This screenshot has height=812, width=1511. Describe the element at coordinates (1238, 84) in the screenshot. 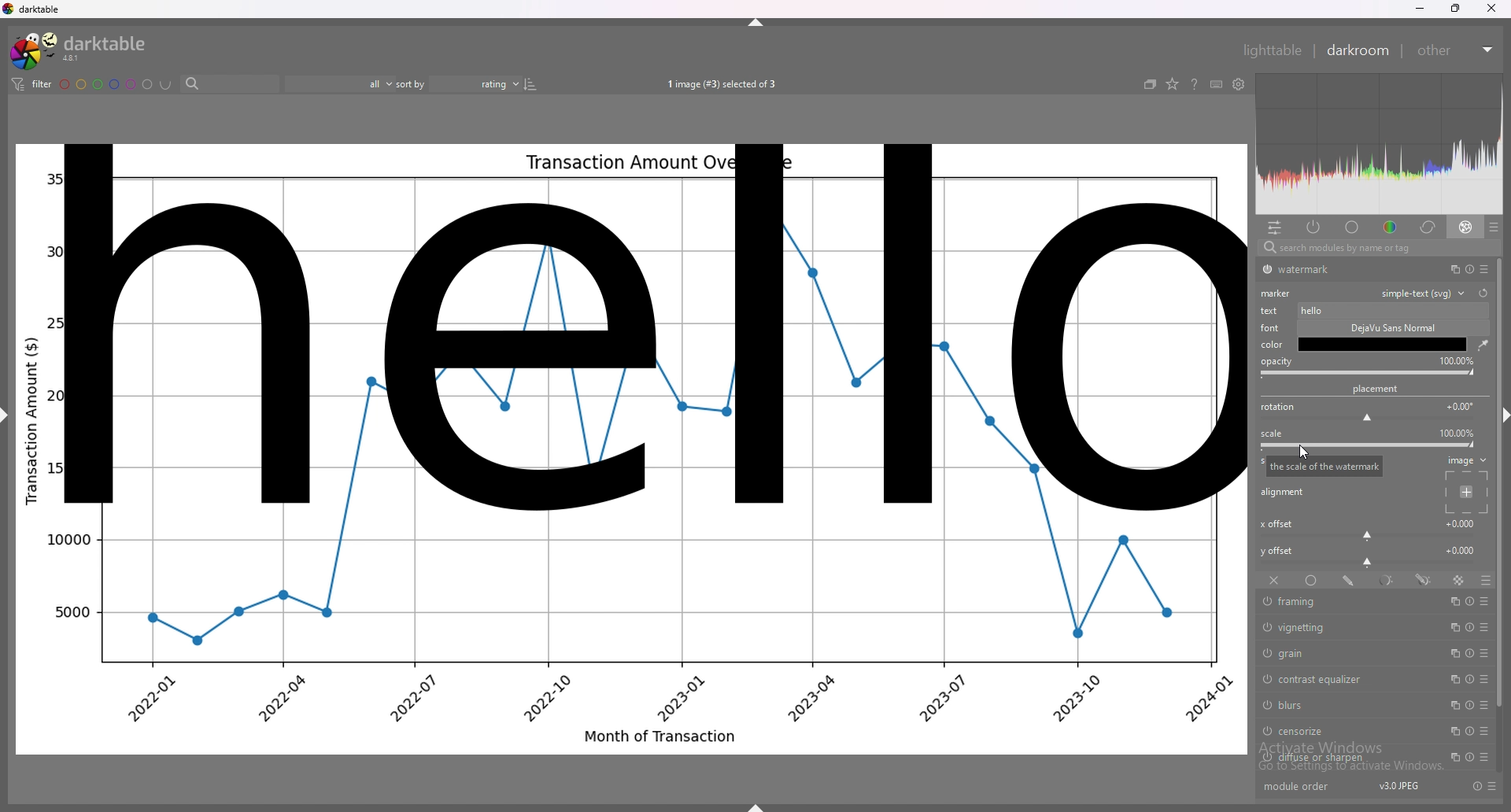

I see `show global preferences` at that location.